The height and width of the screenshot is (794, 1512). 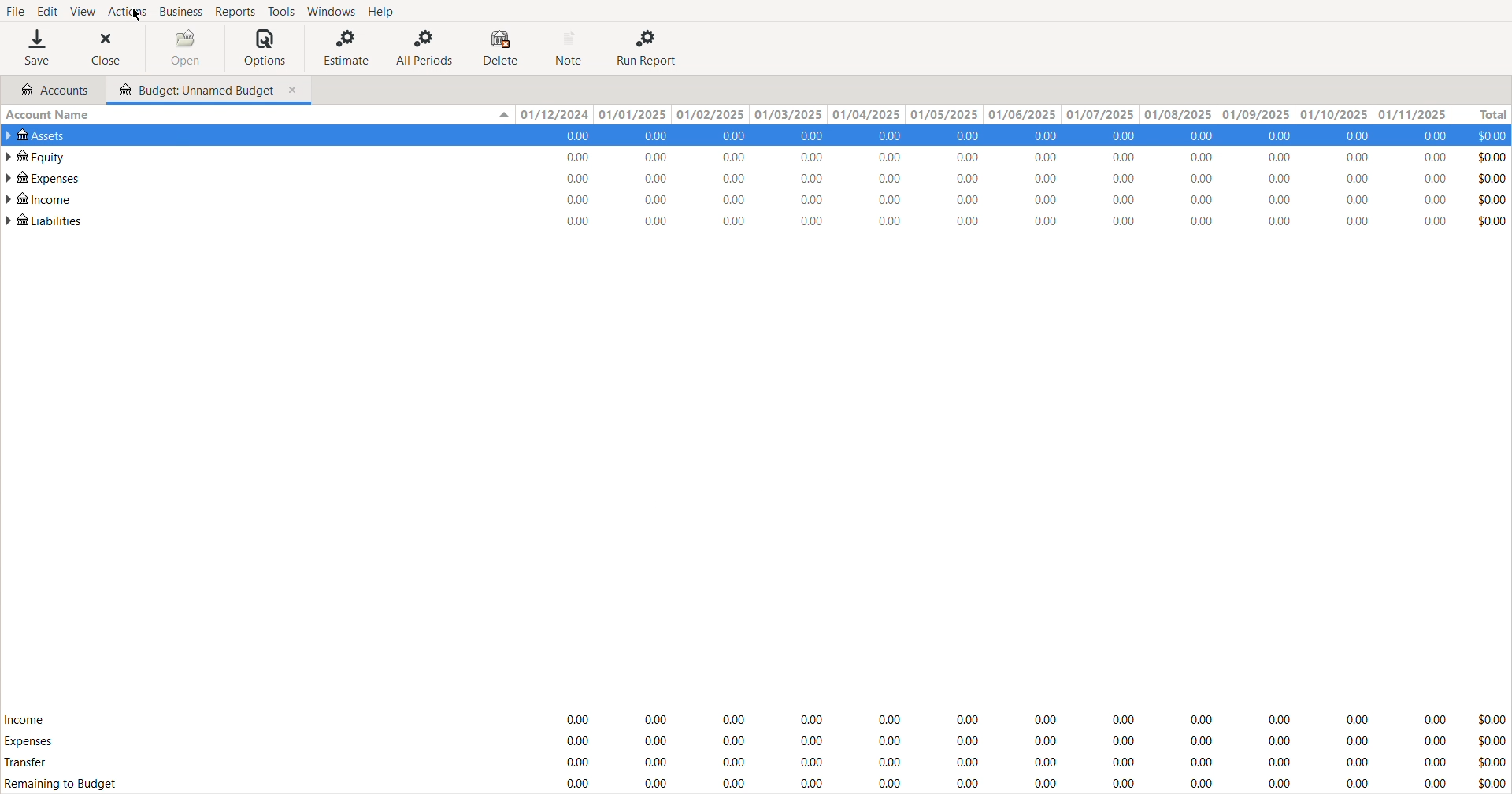 What do you see at coordinates (979, 115) in the screenshot?
I see `Dates` at bounding box center [979, 115].